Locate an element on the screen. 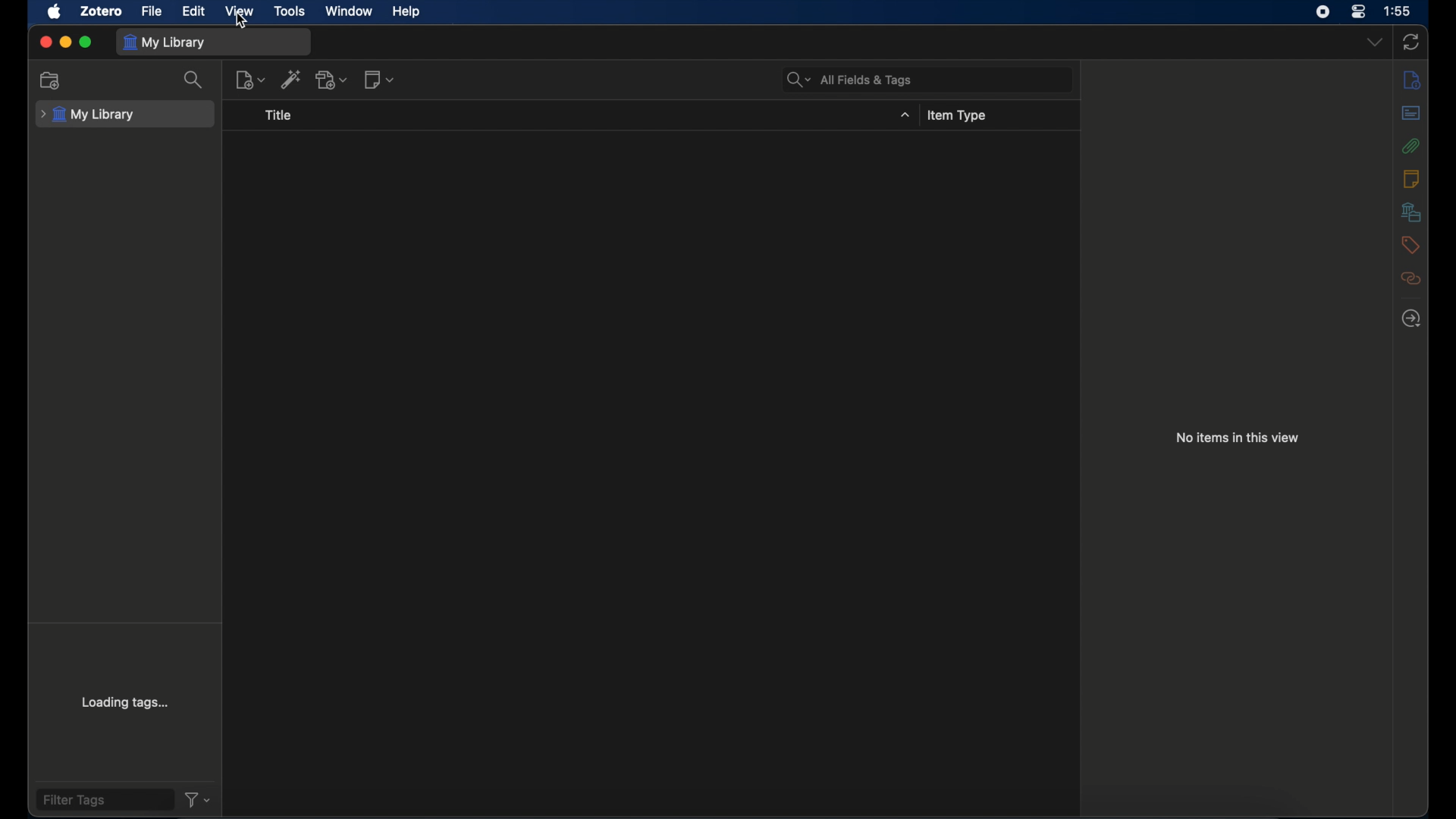 The height and width of the screenshot is (819, 1456). new note is located at coordinates (379, 80).